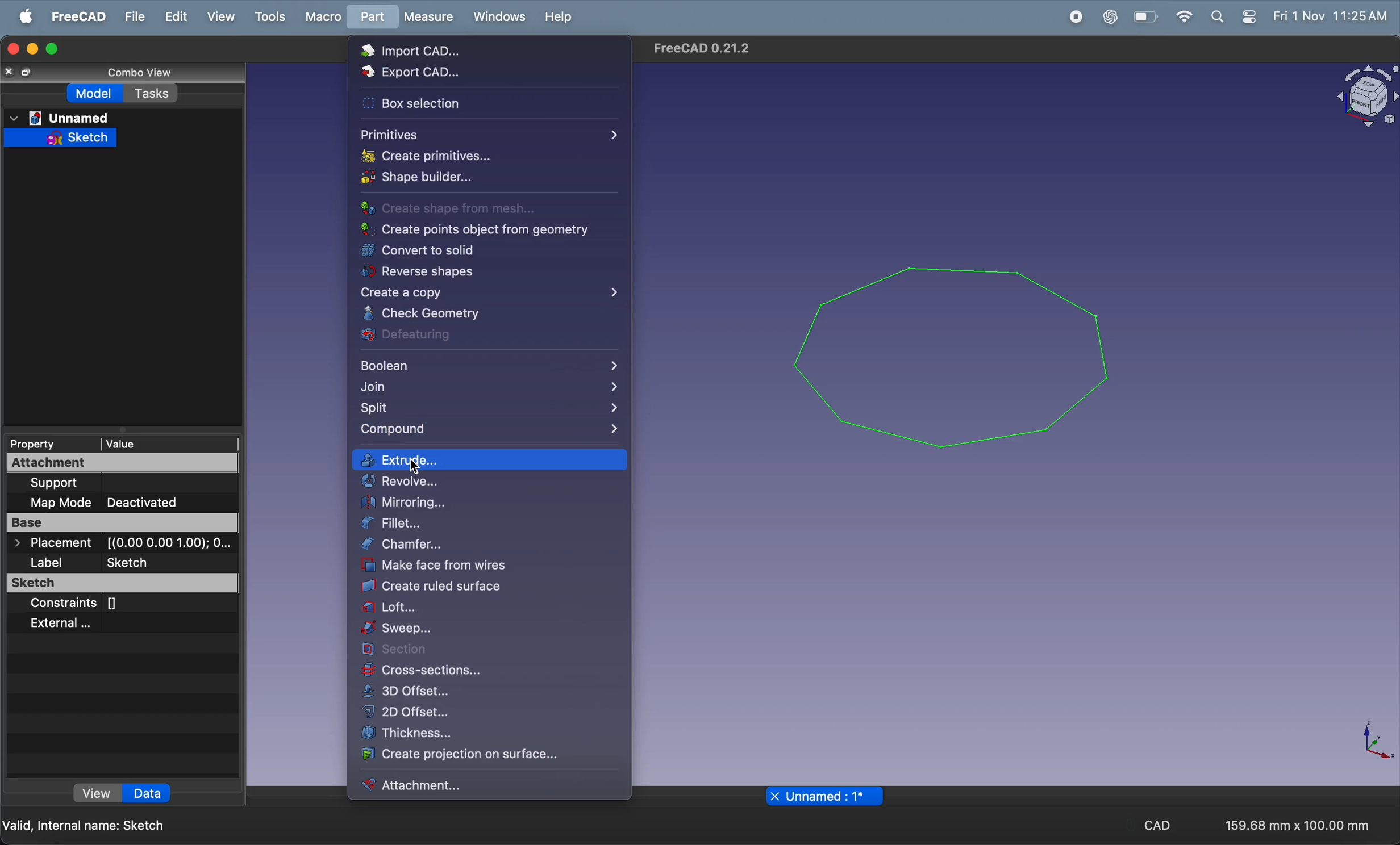 The image size is (1400, 845). What do you see at coordinates (59, 118) in the screenshot?
I see `unnamed` at bounding box center [59, 118].